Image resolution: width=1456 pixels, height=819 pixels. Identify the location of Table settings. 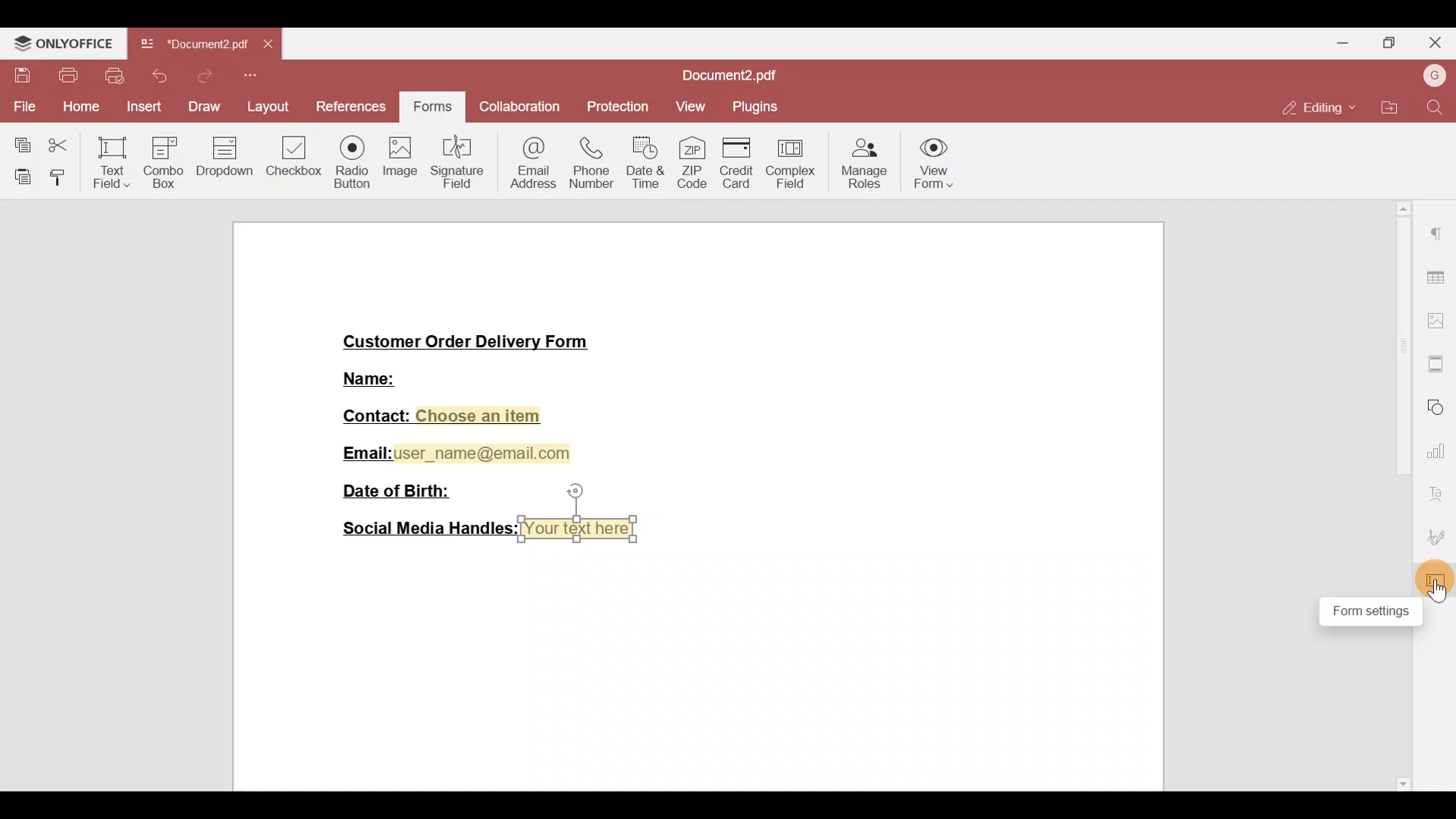
(1438, 275).